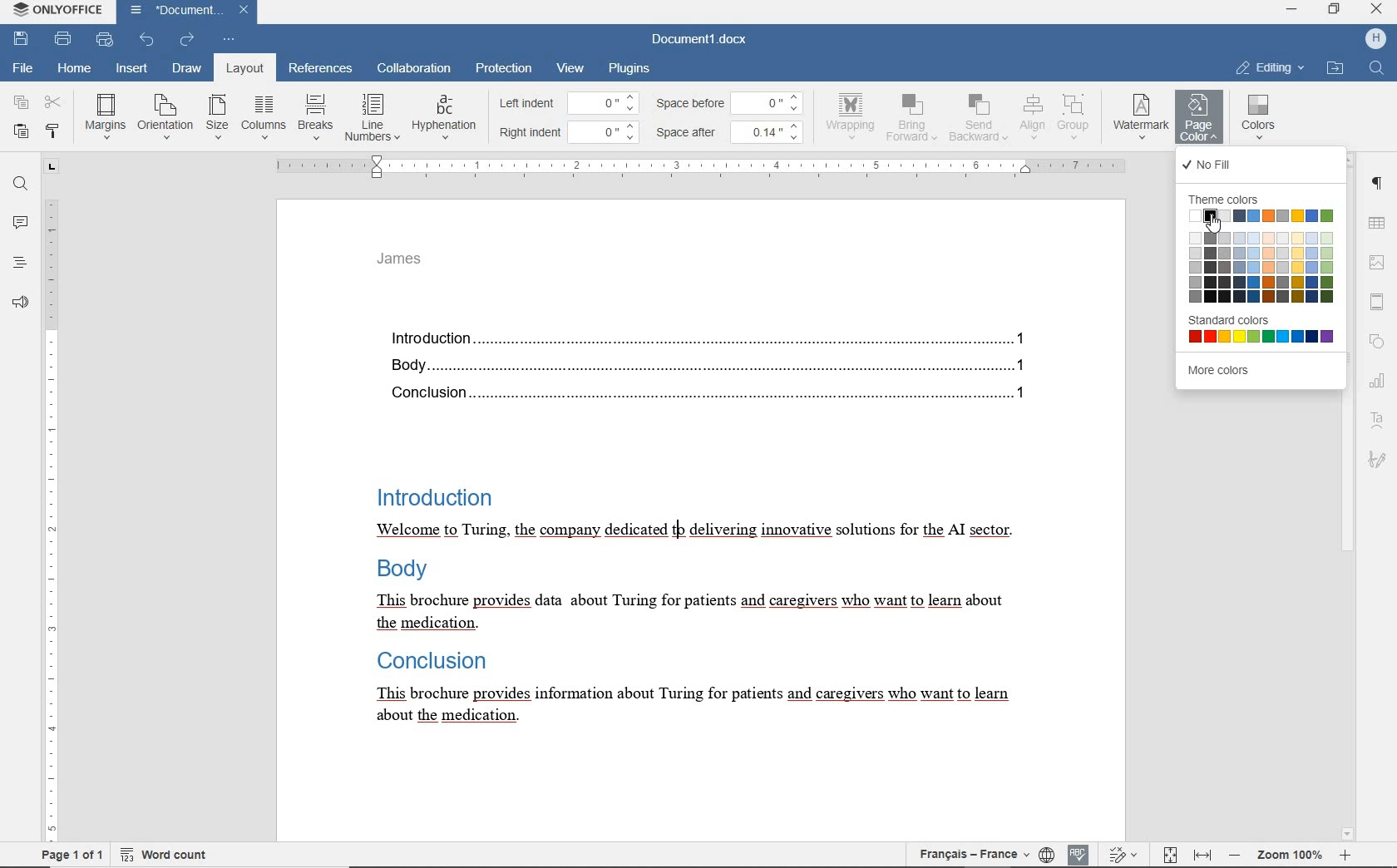  Describe the element at coordinates (1217, 224) in the screenshot. I see `cursor` at that location.